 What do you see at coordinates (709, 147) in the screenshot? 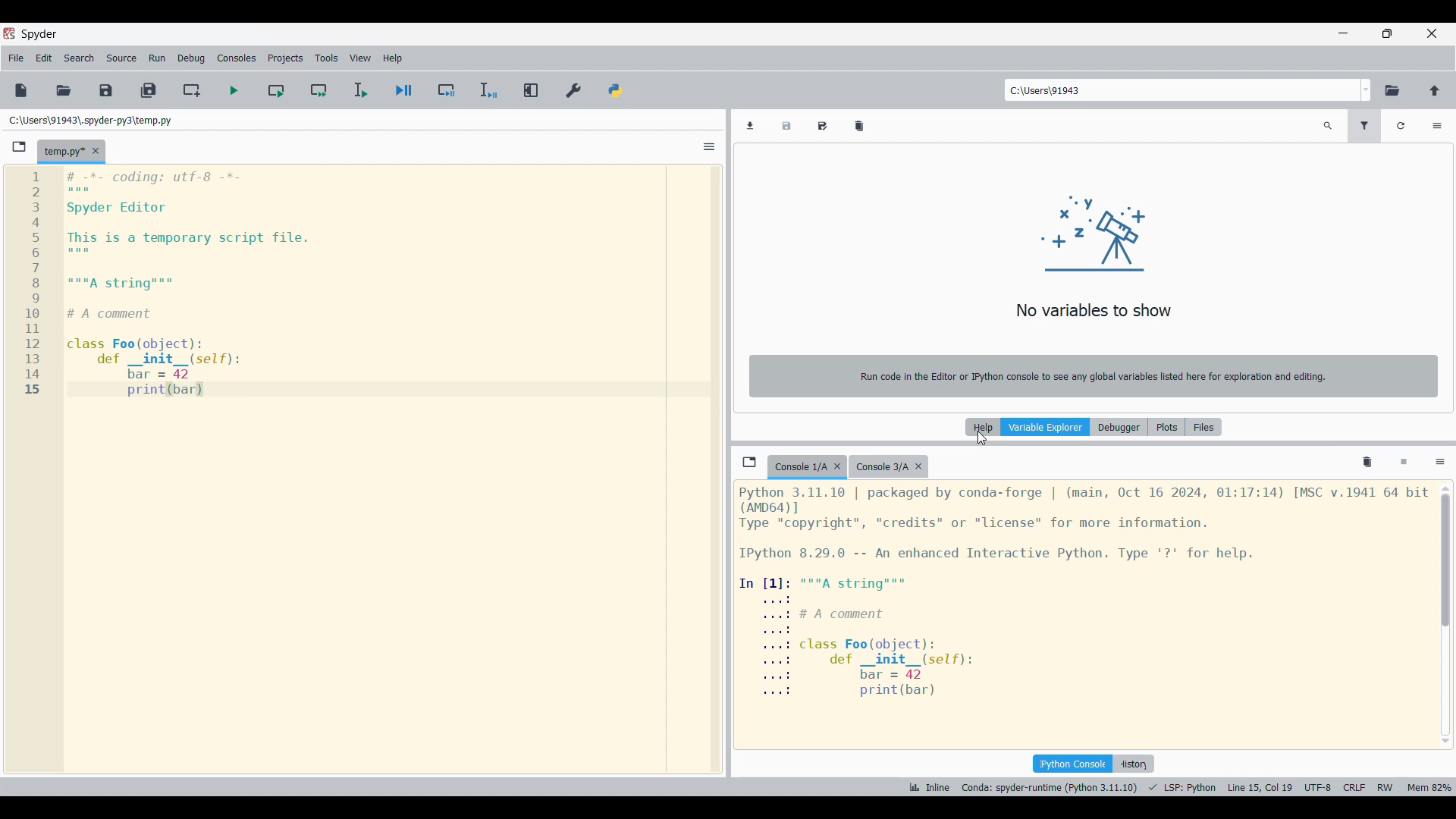
I see `Options ` at bounding box center [709, 147].